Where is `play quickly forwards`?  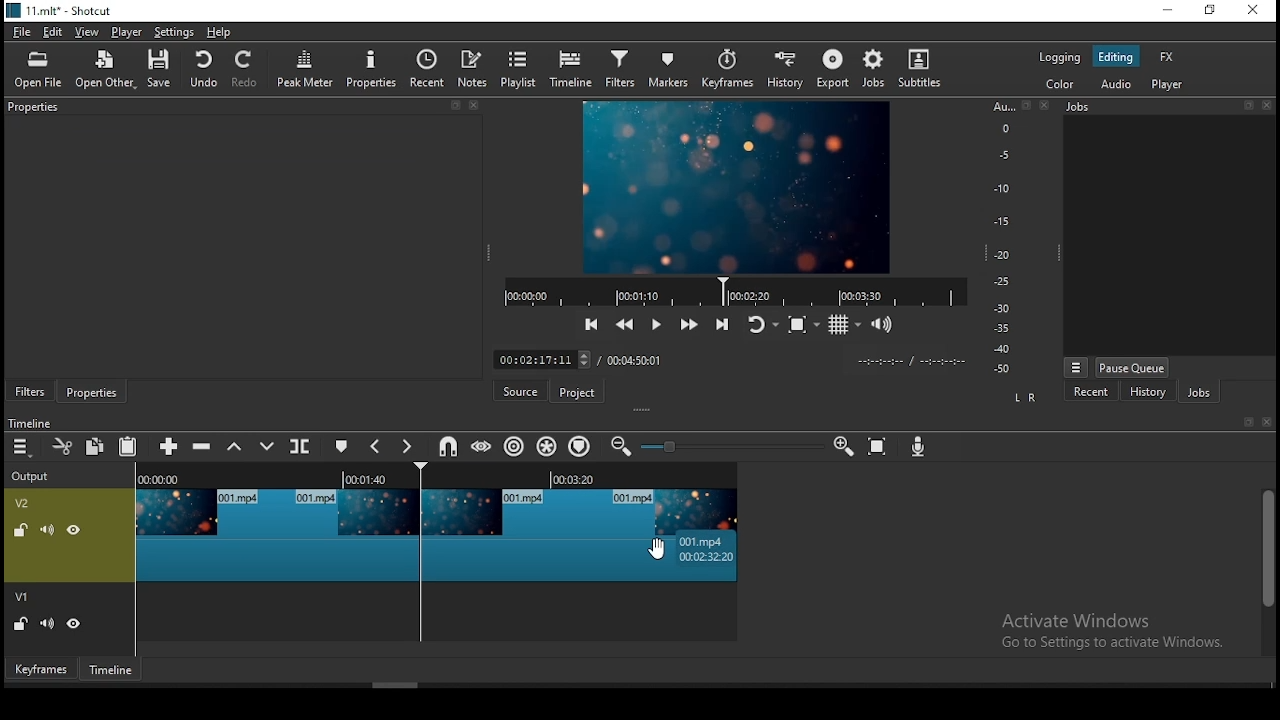
play quickly forwards is located at coordinates (691, 325).